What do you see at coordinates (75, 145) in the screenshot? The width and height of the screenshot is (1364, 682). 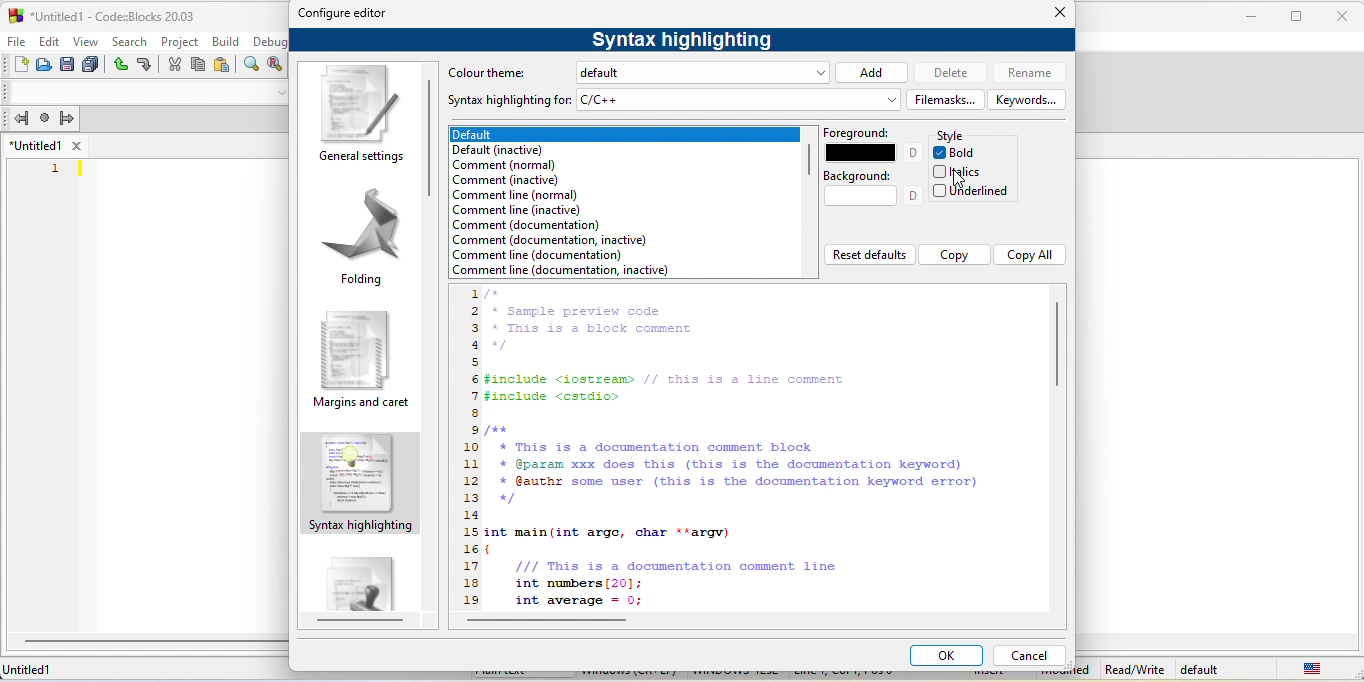 I see `close` at bounding box center [75, 145].